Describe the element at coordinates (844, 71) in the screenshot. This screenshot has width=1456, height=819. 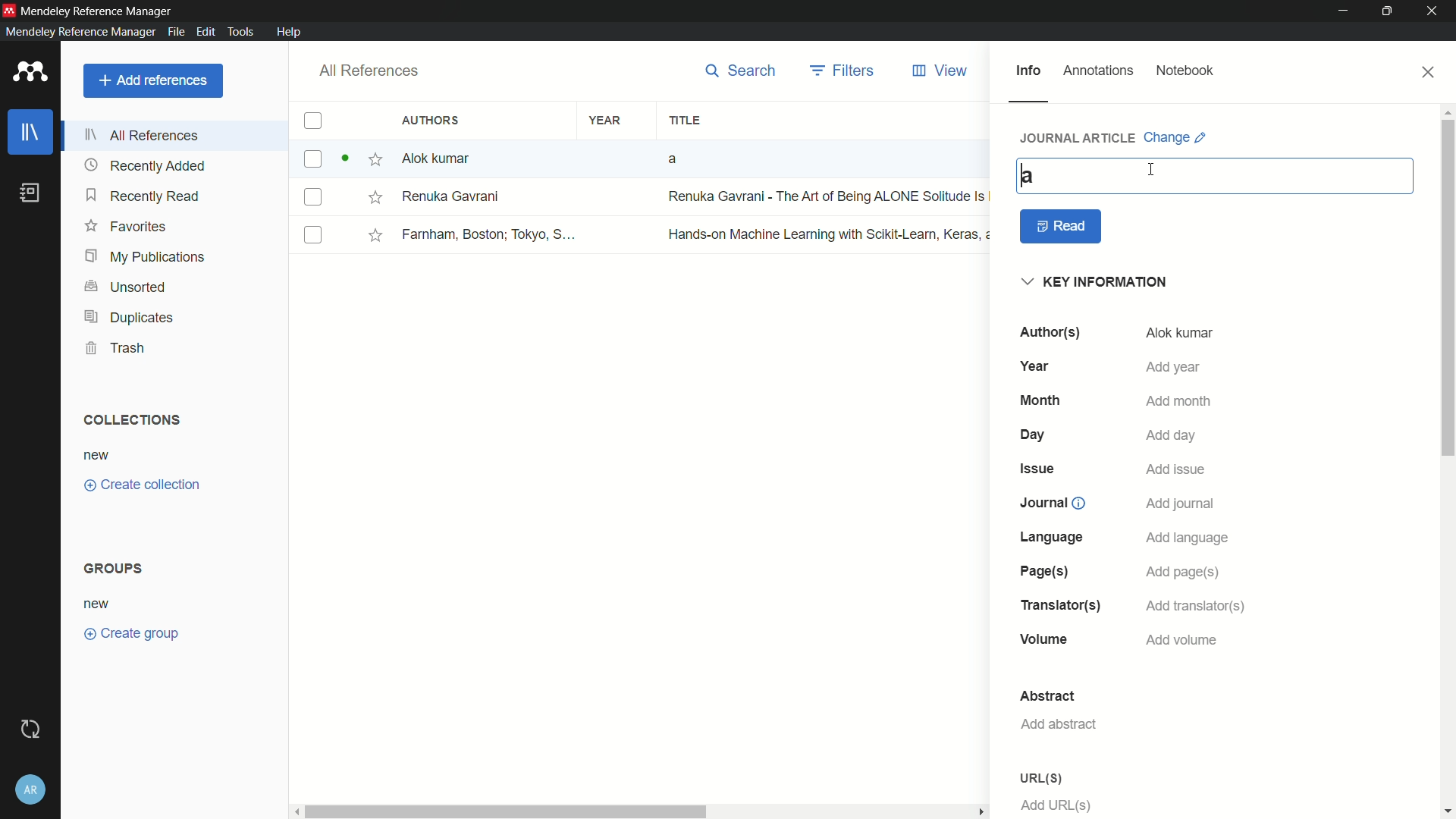
I see `filters` at that location.